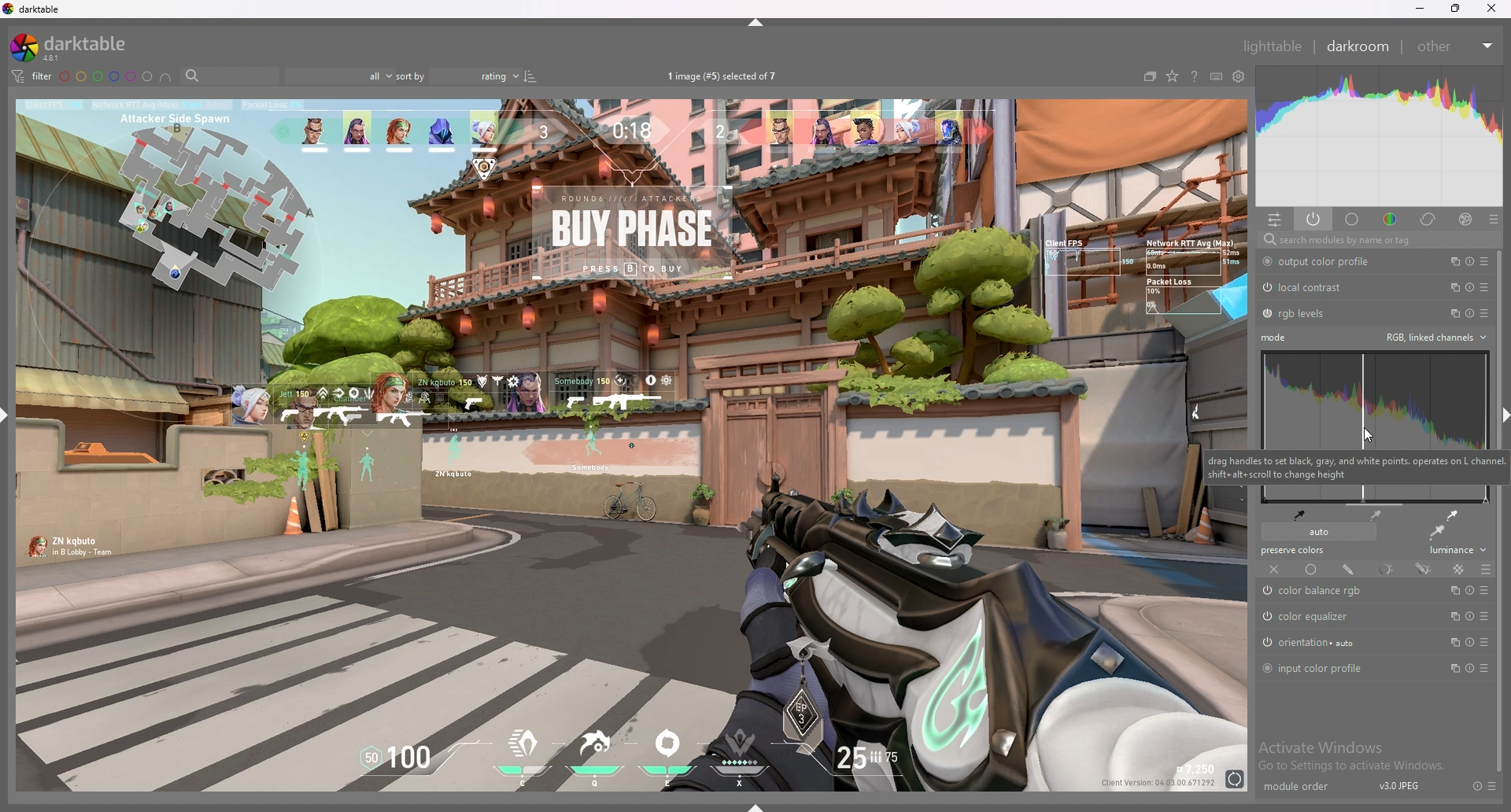 The width and height of the screenshot is (1511, 812). I want to click on quick access panel, so click(1276, 220).